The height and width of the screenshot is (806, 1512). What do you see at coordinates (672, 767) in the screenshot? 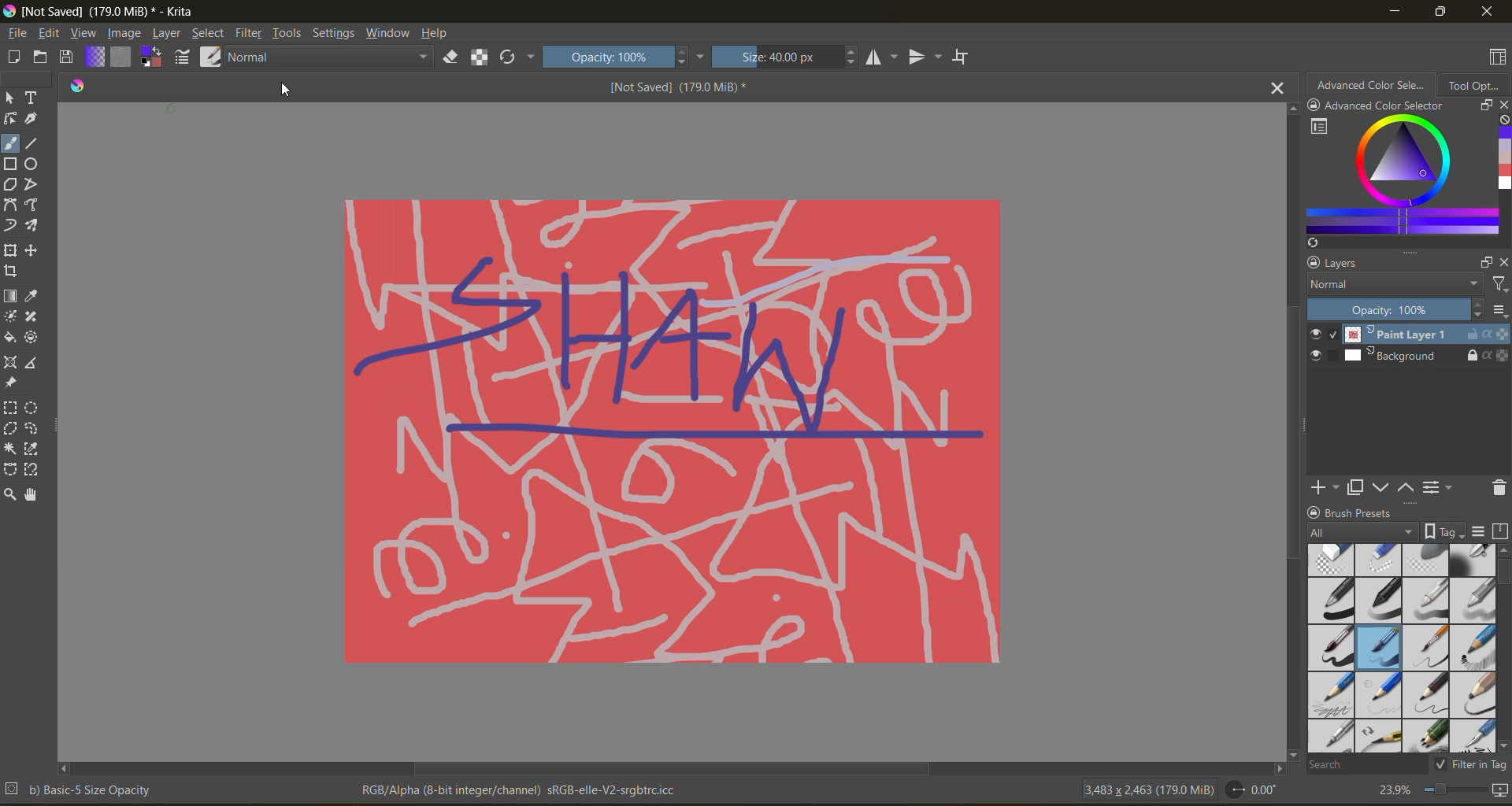
I see `horizontal scroll bar` at bounding box center [672, 767].